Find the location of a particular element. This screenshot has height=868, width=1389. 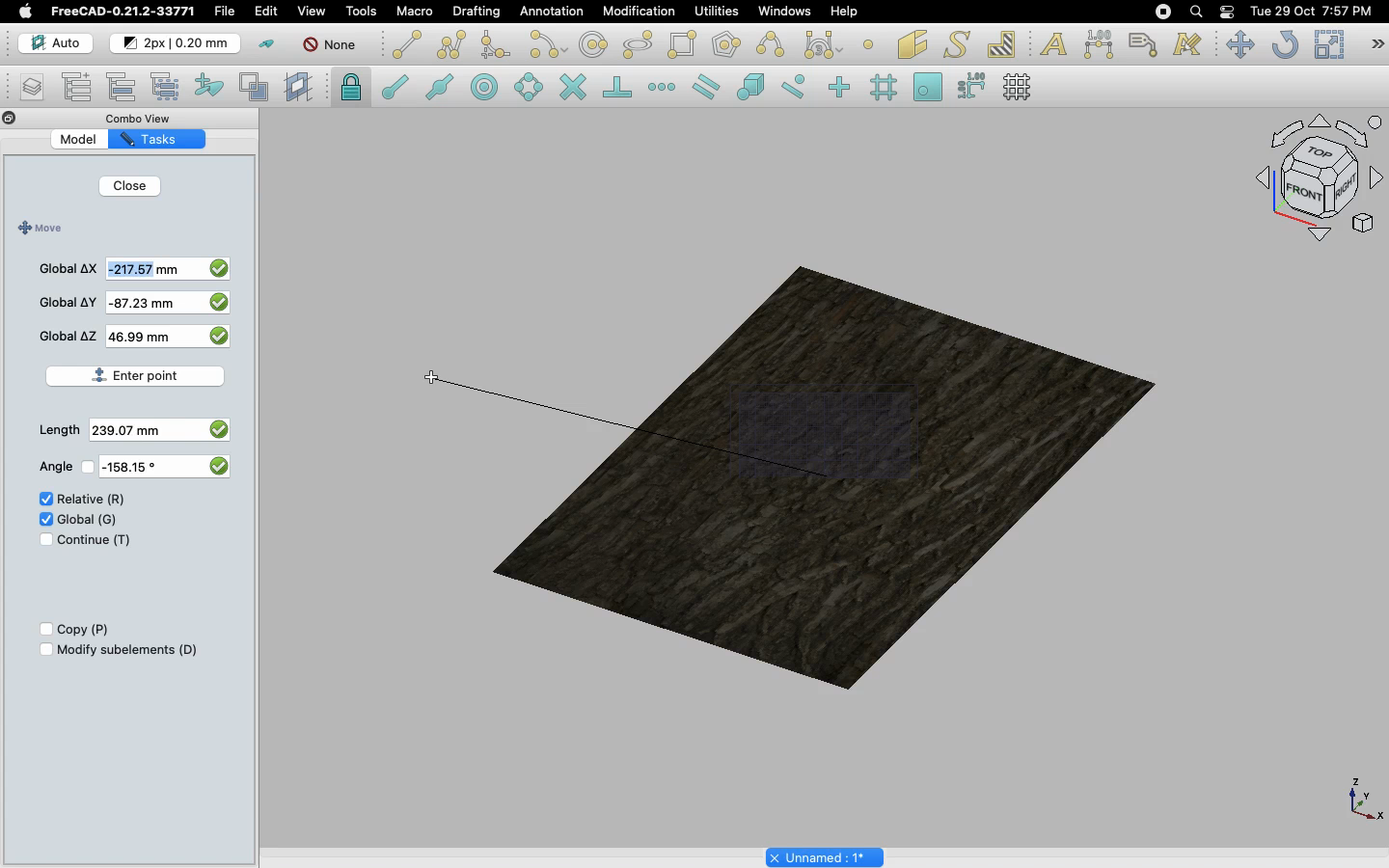

checkbox is located at coordinates (217, 465).